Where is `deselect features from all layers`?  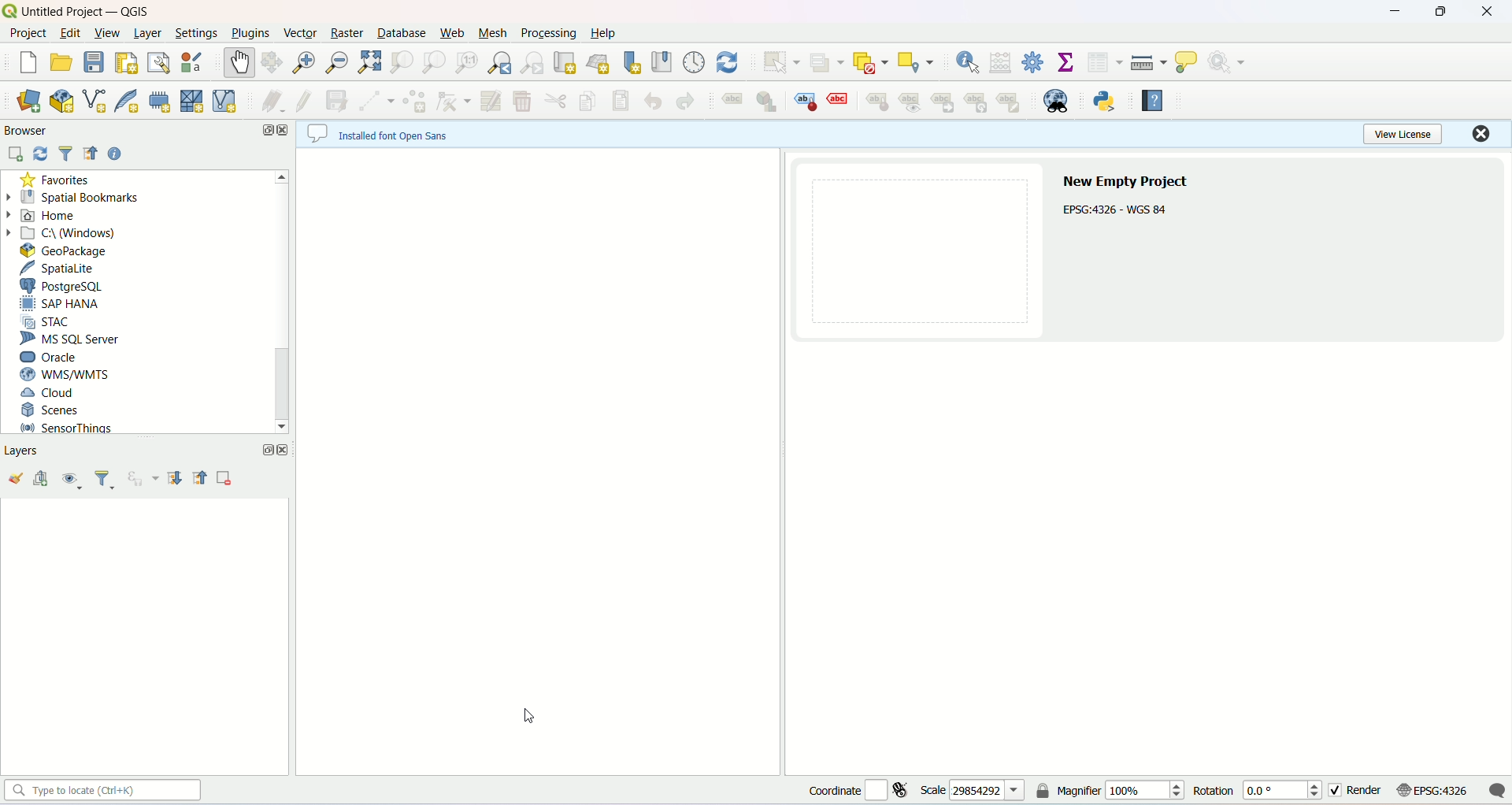 deselect features from all layers is located at coordinates (875, 61).